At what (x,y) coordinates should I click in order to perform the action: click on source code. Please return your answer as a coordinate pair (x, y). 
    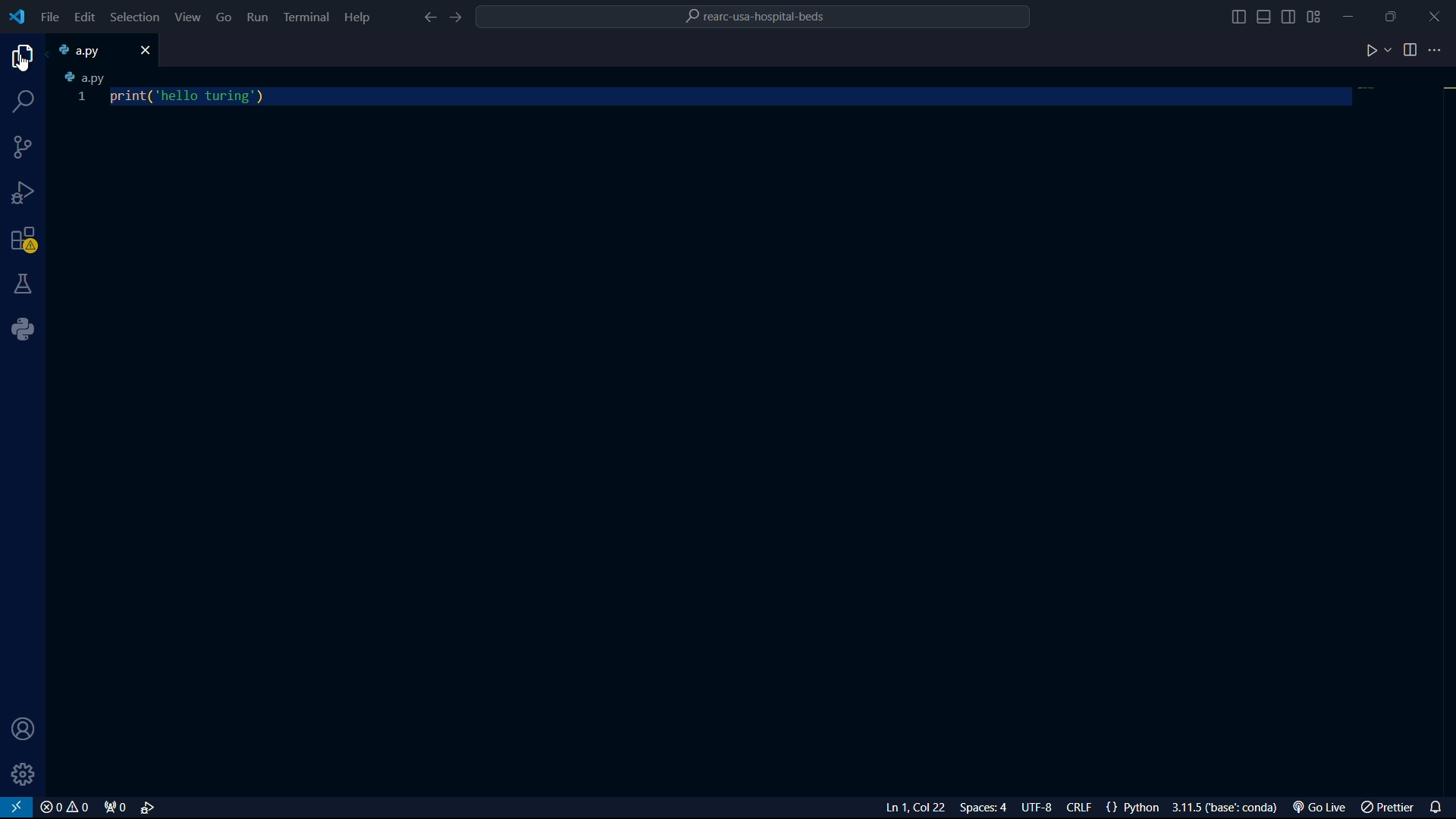
    Looking at the image, I should click on (24, 147).